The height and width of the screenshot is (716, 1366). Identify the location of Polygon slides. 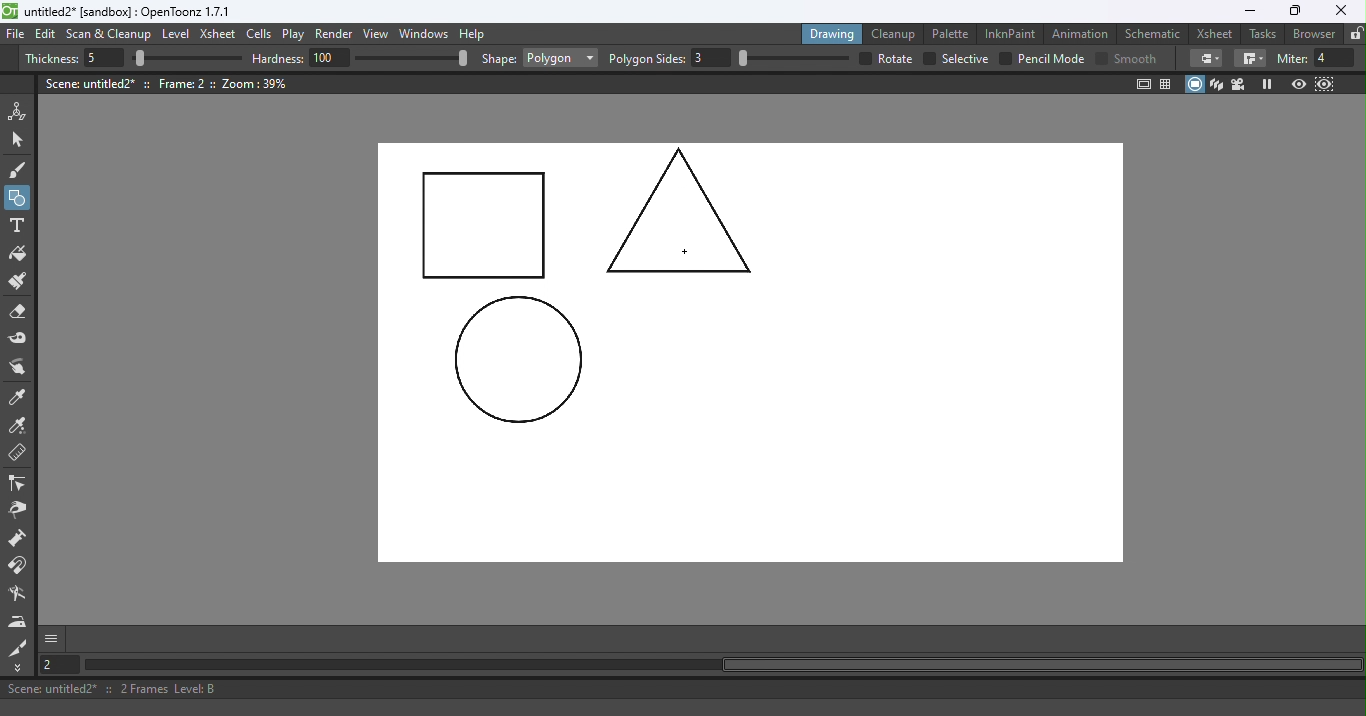
(647, 59).